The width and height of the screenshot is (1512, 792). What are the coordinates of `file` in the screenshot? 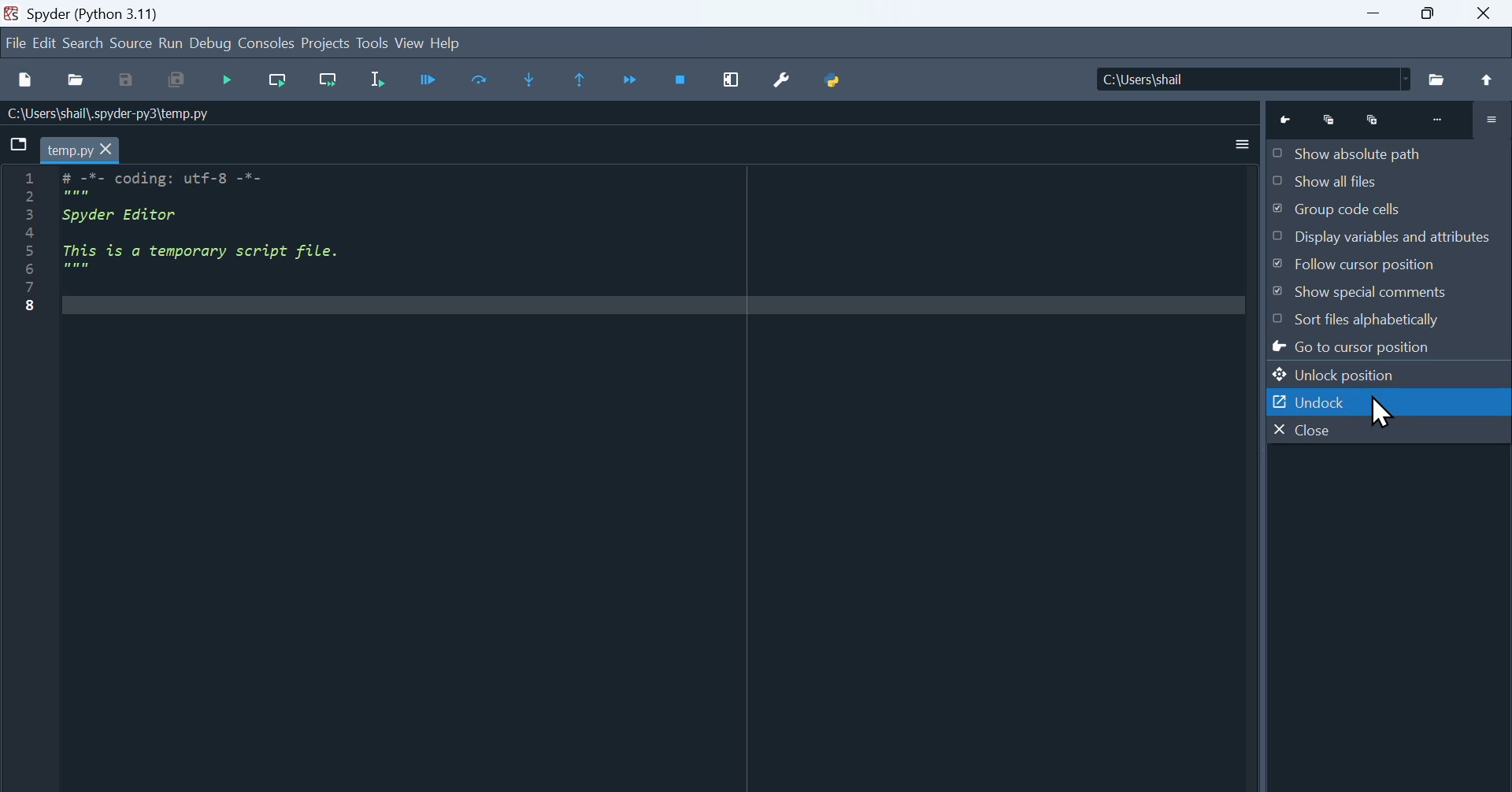 It's located at (14, 42).